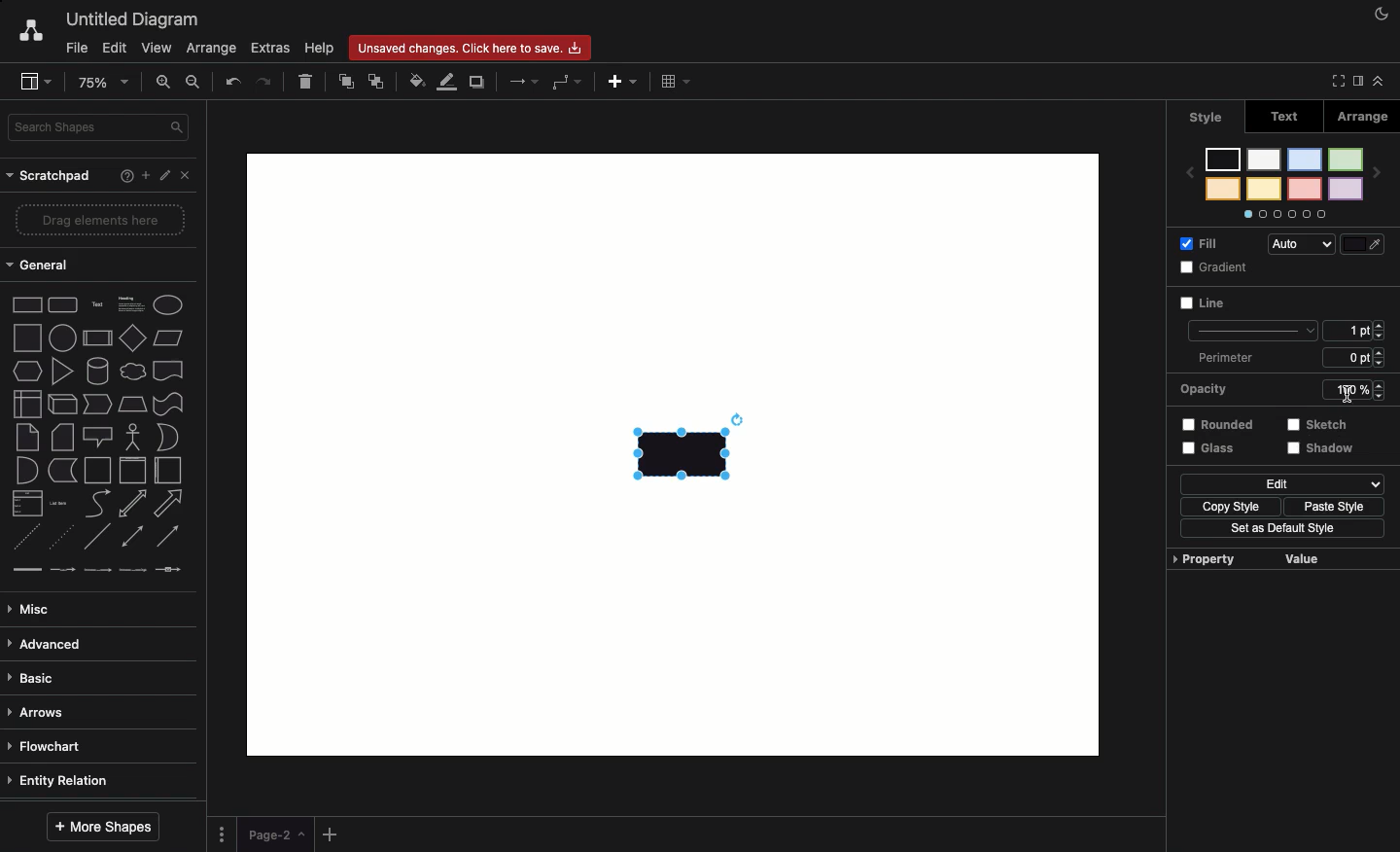 The image size is (1400, 852). What do you see at coordinates (565, 83) in the screenshot?
I see `Waypoints` at bounding box center [565, 83].